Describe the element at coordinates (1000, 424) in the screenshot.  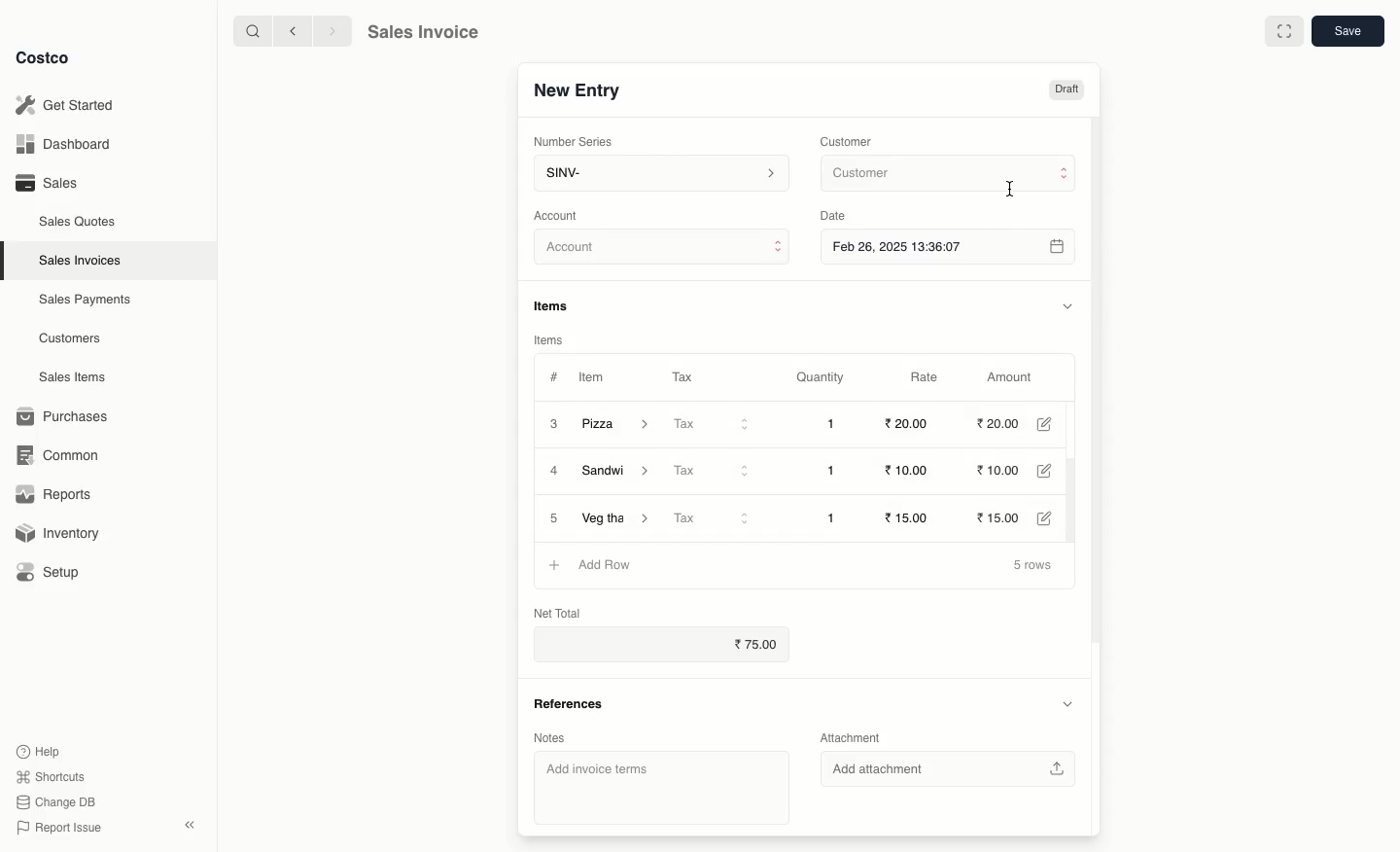
I see `20.00` at that location.